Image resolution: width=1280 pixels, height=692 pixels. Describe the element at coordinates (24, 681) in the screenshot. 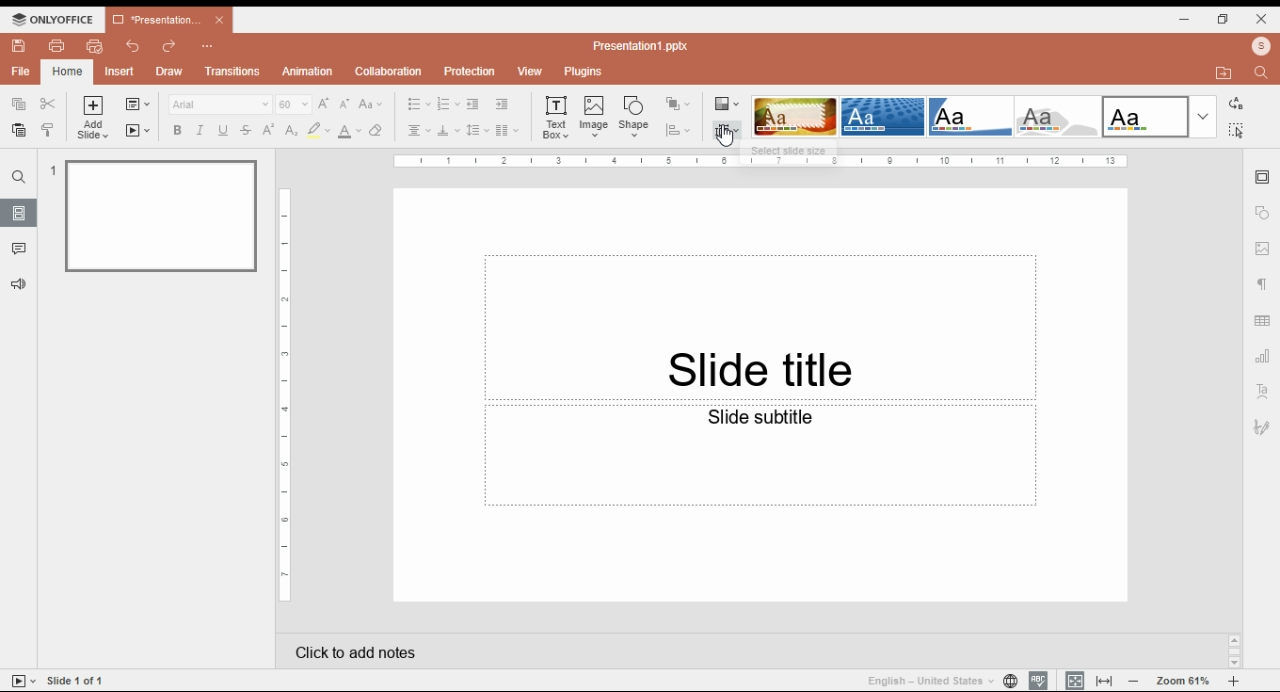

I see `start slide show` at that location.